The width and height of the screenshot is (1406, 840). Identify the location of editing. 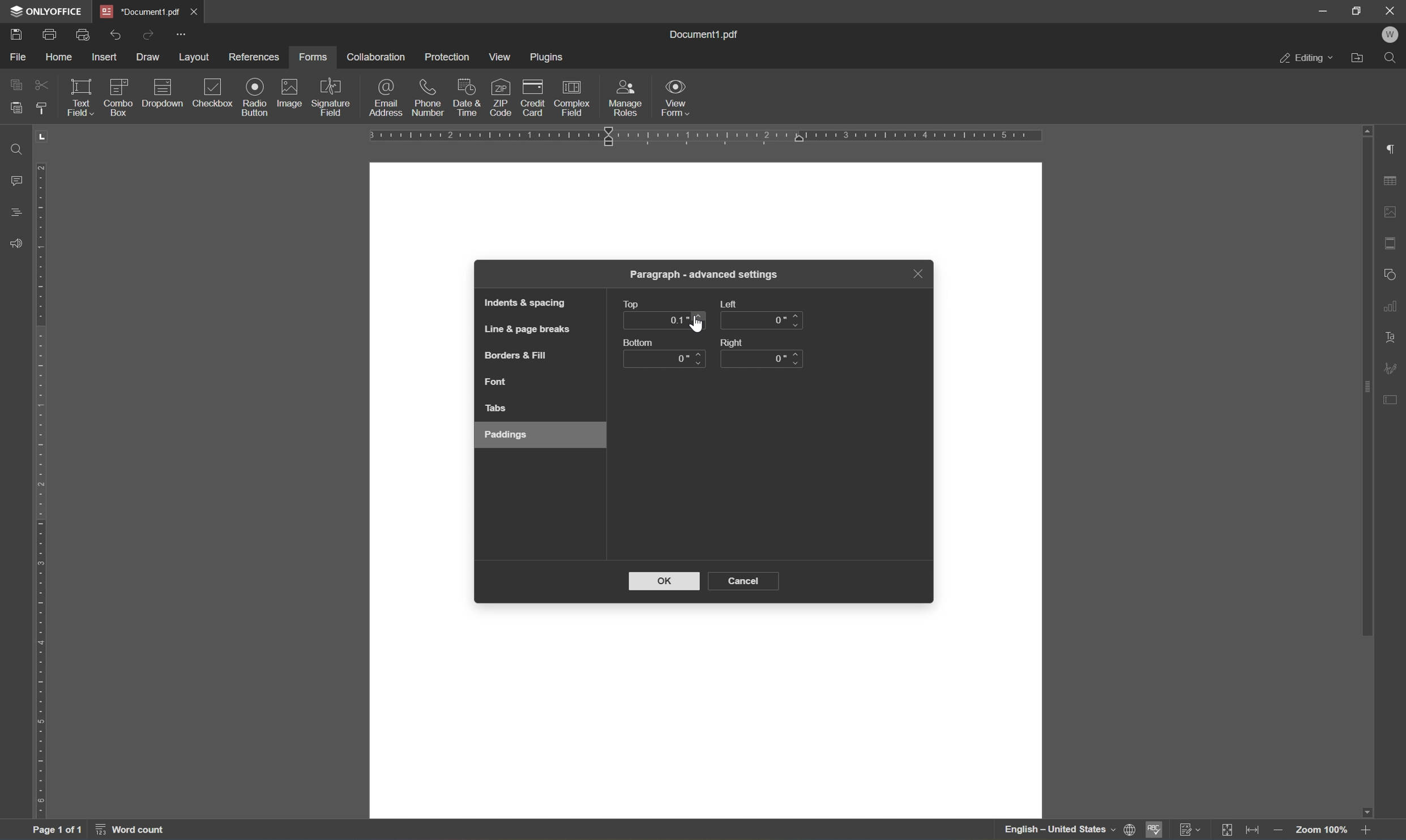
(1307, 61).